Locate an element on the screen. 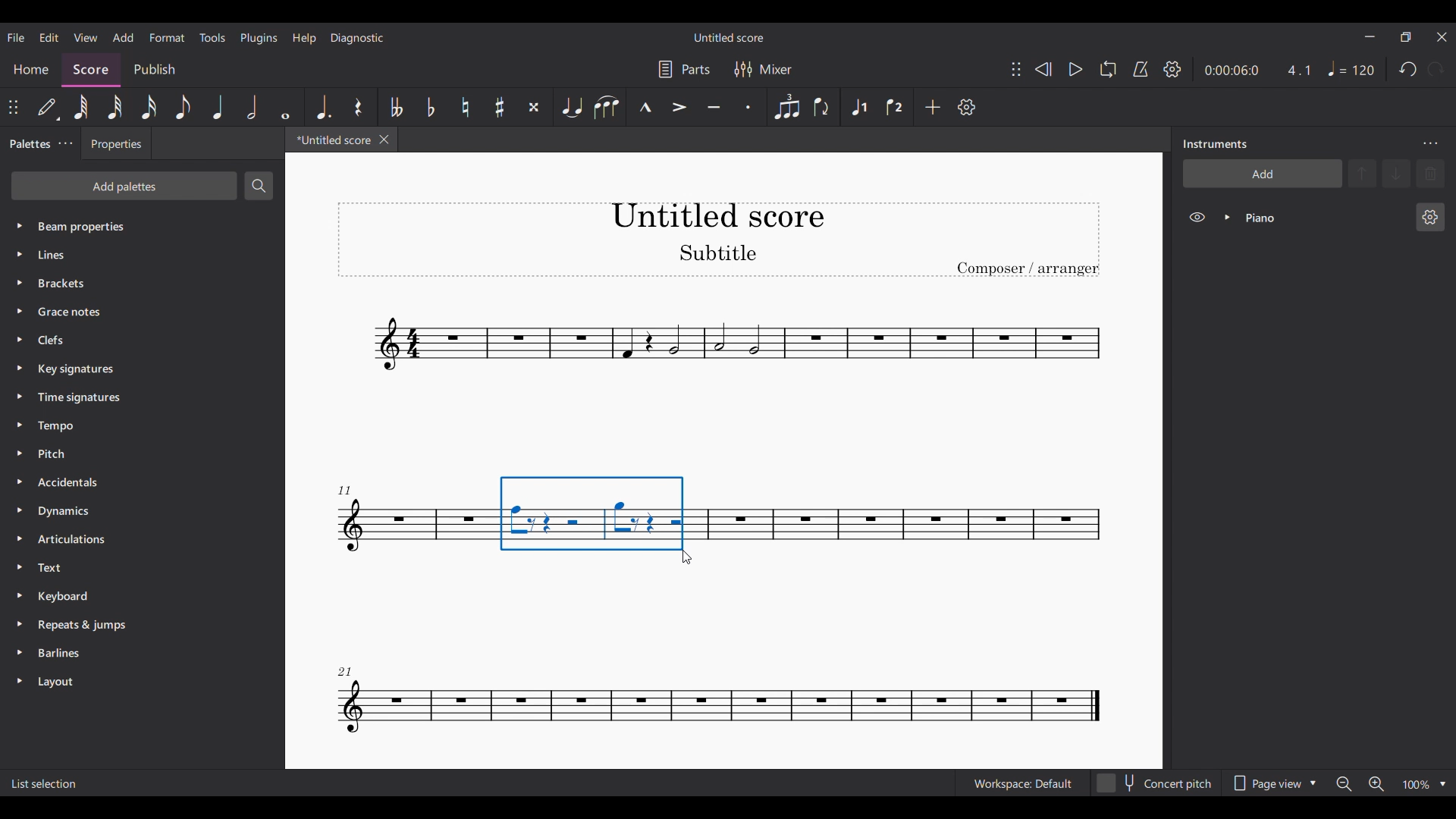 The width and height of the screenshot is (1456, 819). Workspace default is located at coordinates (1021, 782).